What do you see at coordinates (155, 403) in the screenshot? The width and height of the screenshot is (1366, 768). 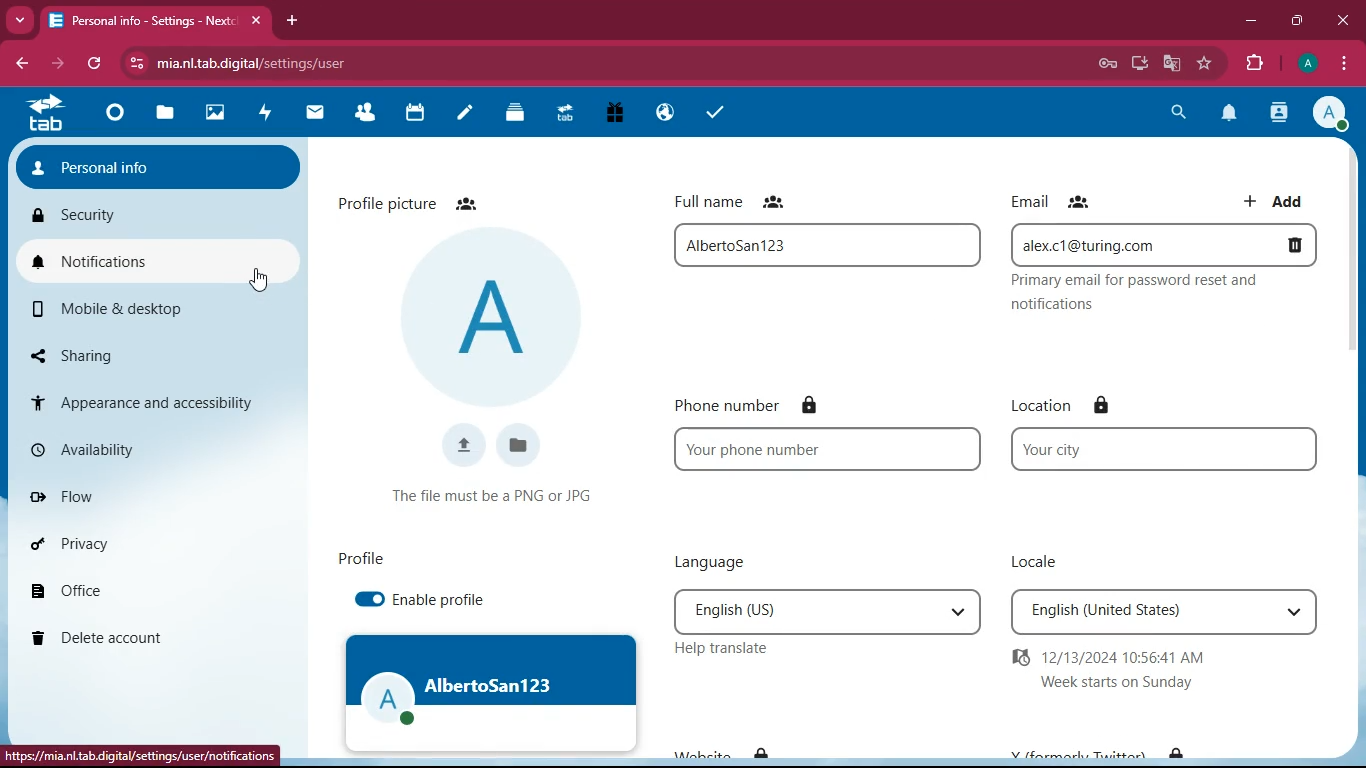 I see `appearance and acecessibility` at bounding box center [155, 403].